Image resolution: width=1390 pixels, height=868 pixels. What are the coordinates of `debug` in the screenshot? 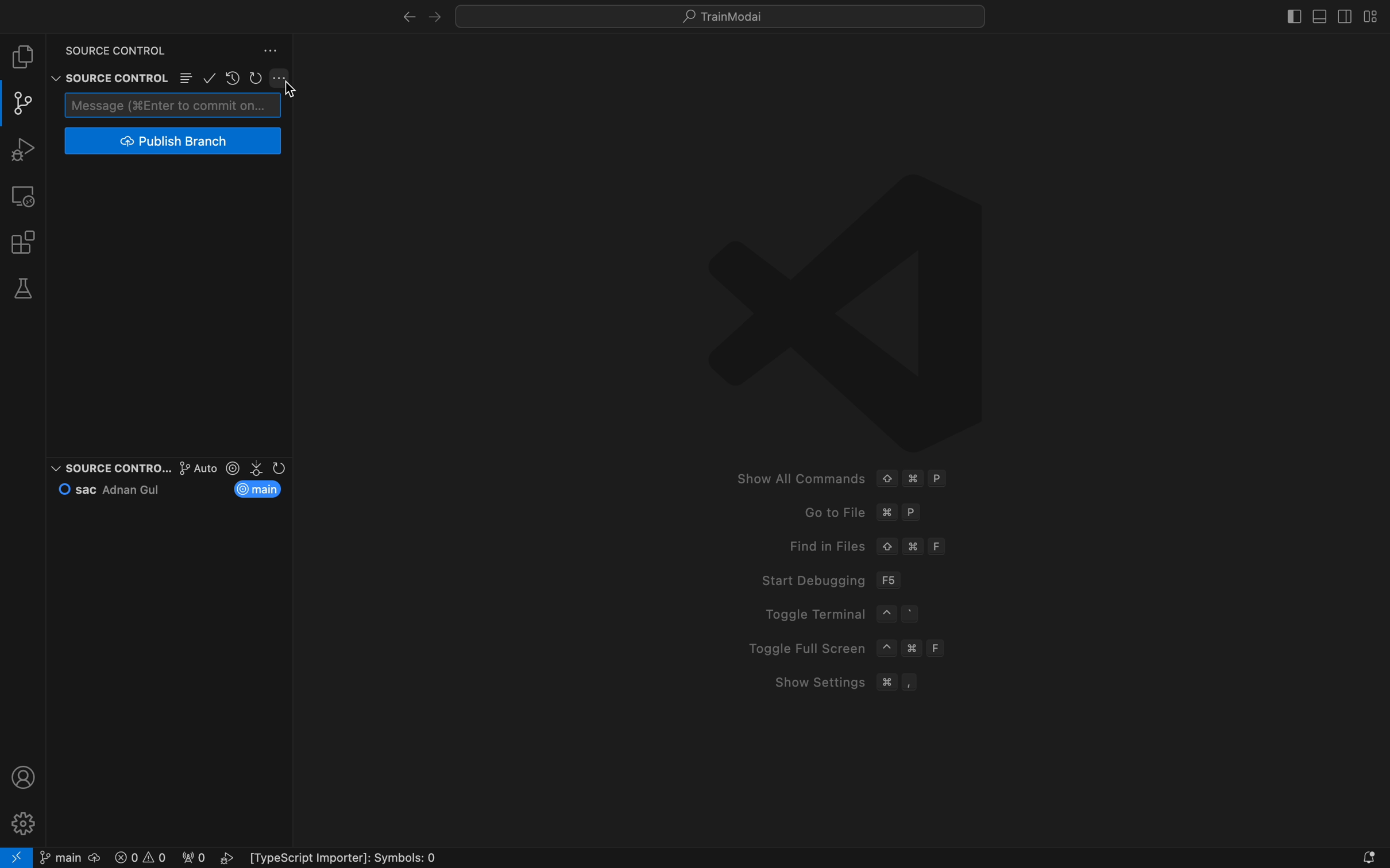 It's located at (27, 149).